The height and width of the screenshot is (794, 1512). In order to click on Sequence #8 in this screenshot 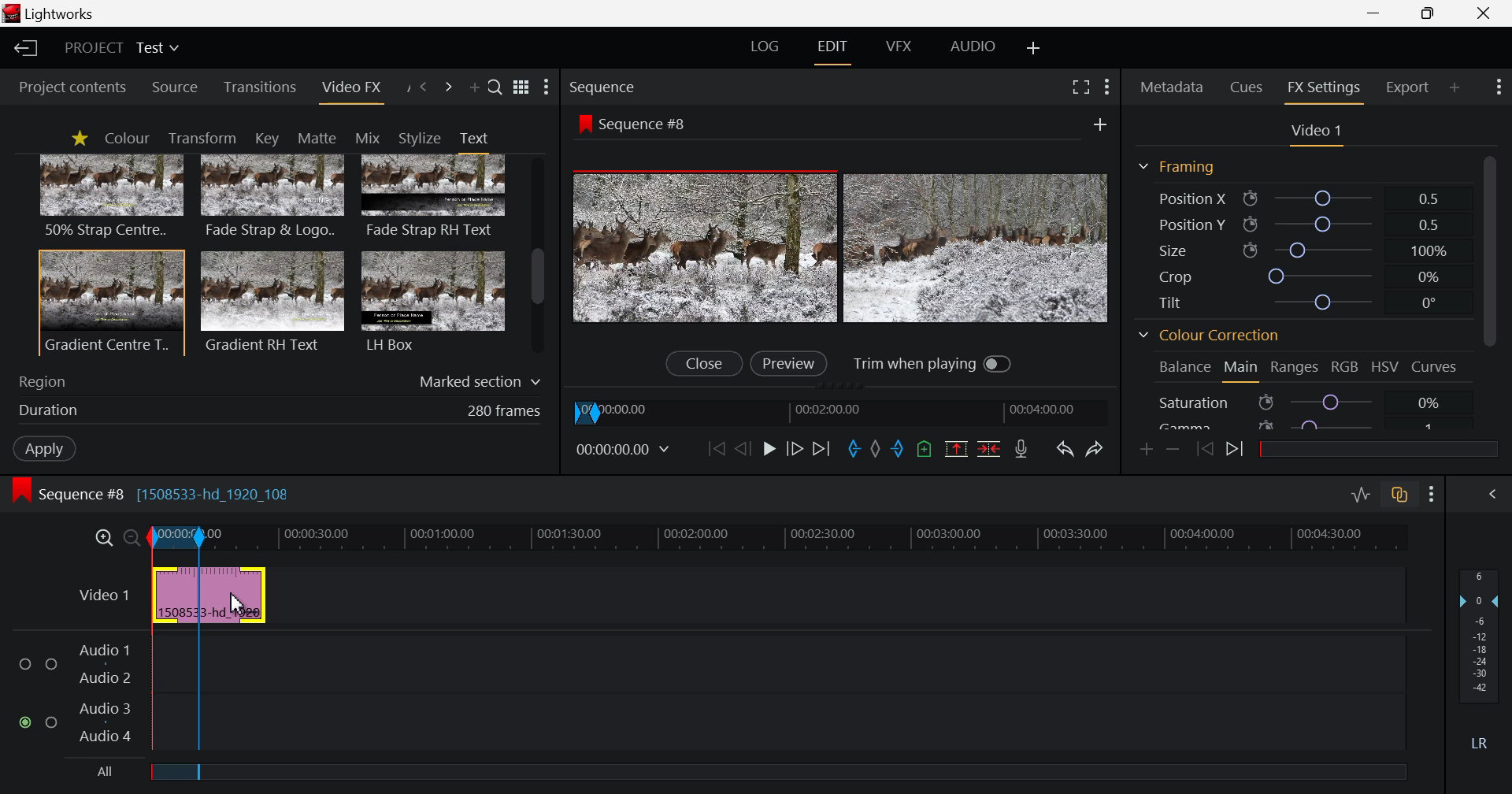, I will do `click(639, 122)`.